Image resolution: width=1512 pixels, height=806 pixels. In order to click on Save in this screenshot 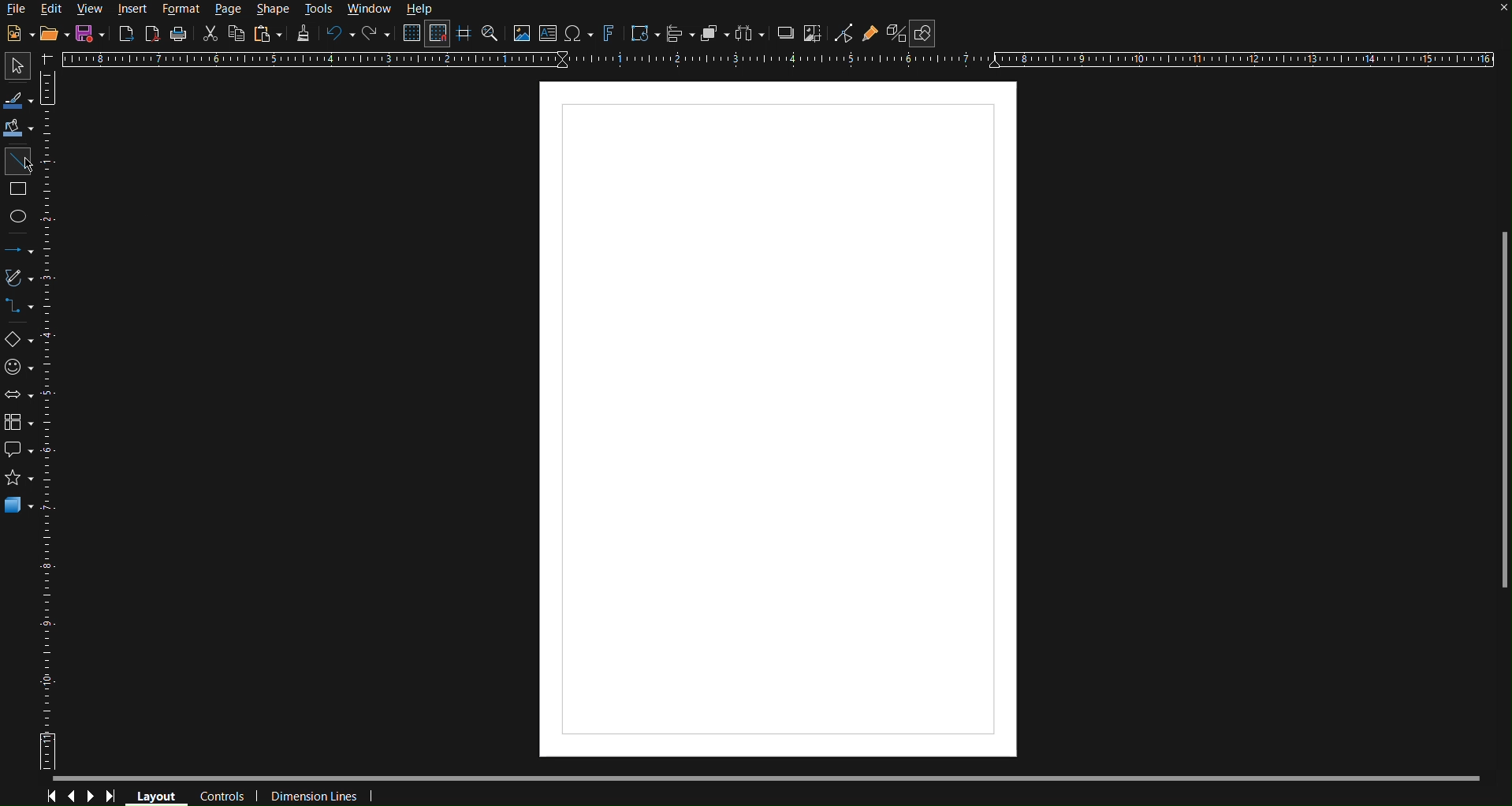, I will do `click(86, 34)`.